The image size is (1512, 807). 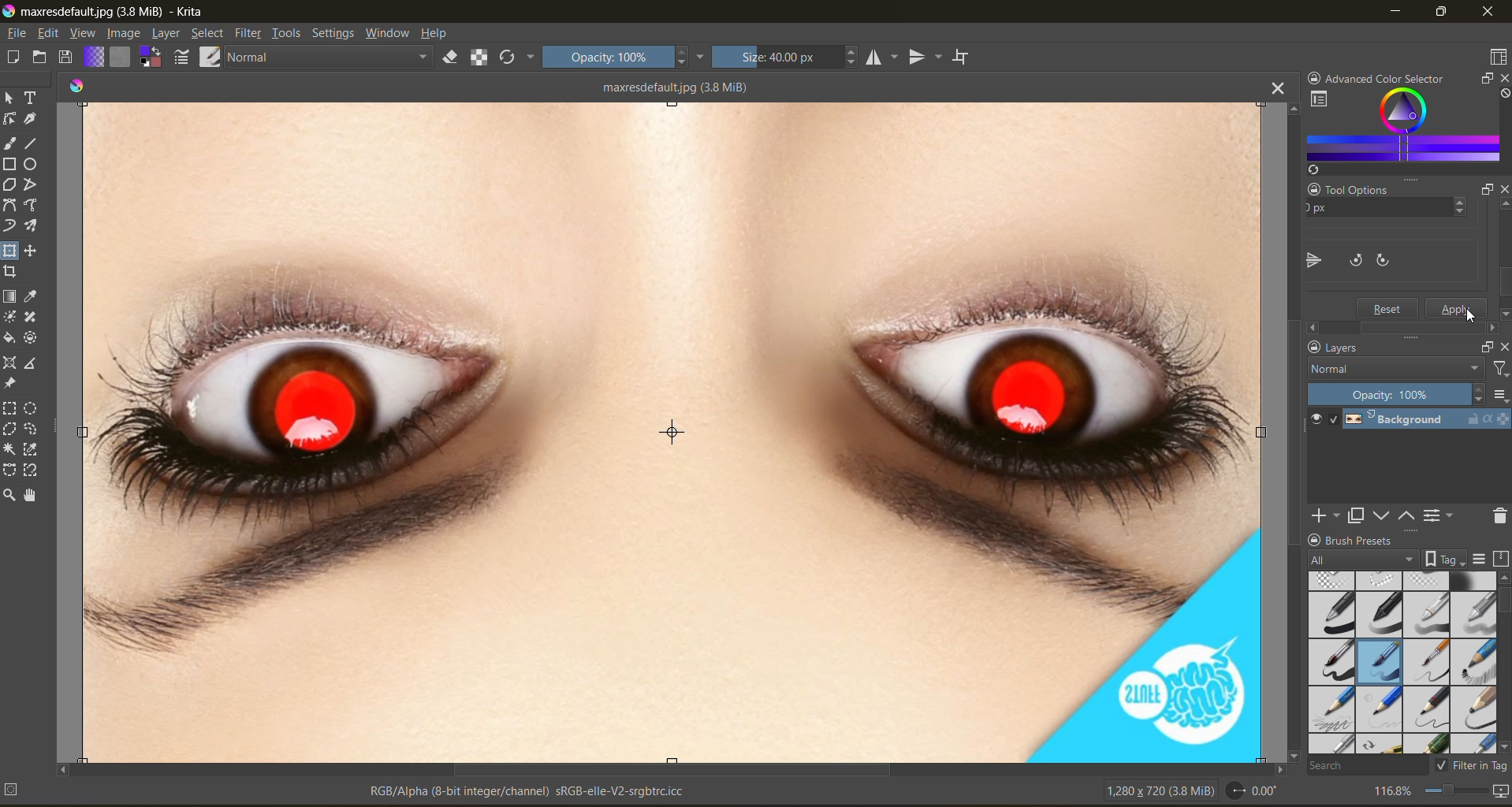 What do you see at coordinates (33, 407) in the screenshot?
I see `tool` at bounding box center [33, 407].